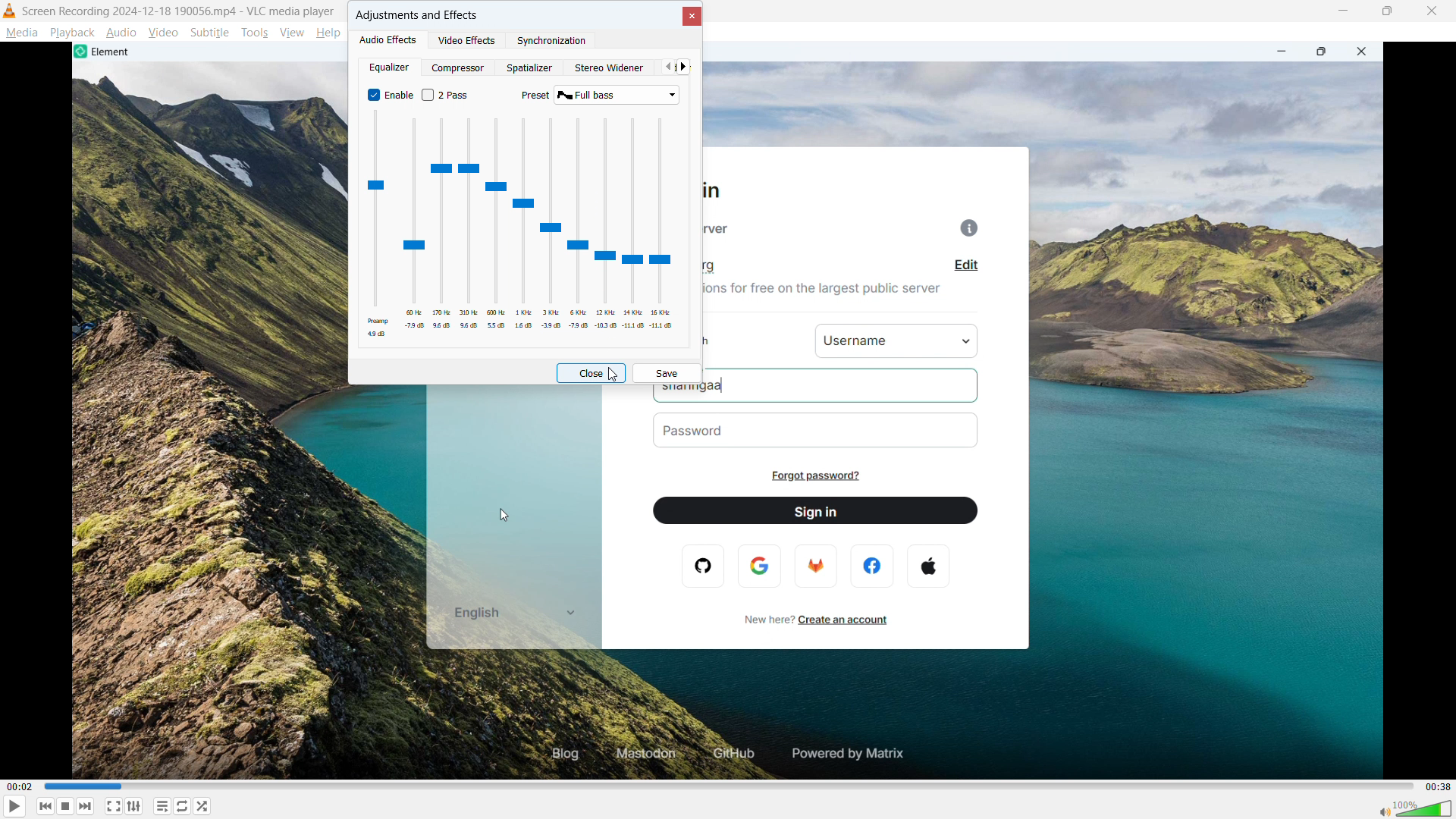 The width and height of the screenshot is (1456, 819). What do you see at coordinates (119, 806) in the screenshot?
I see `Full screen ` at bounding box center [119, 806].